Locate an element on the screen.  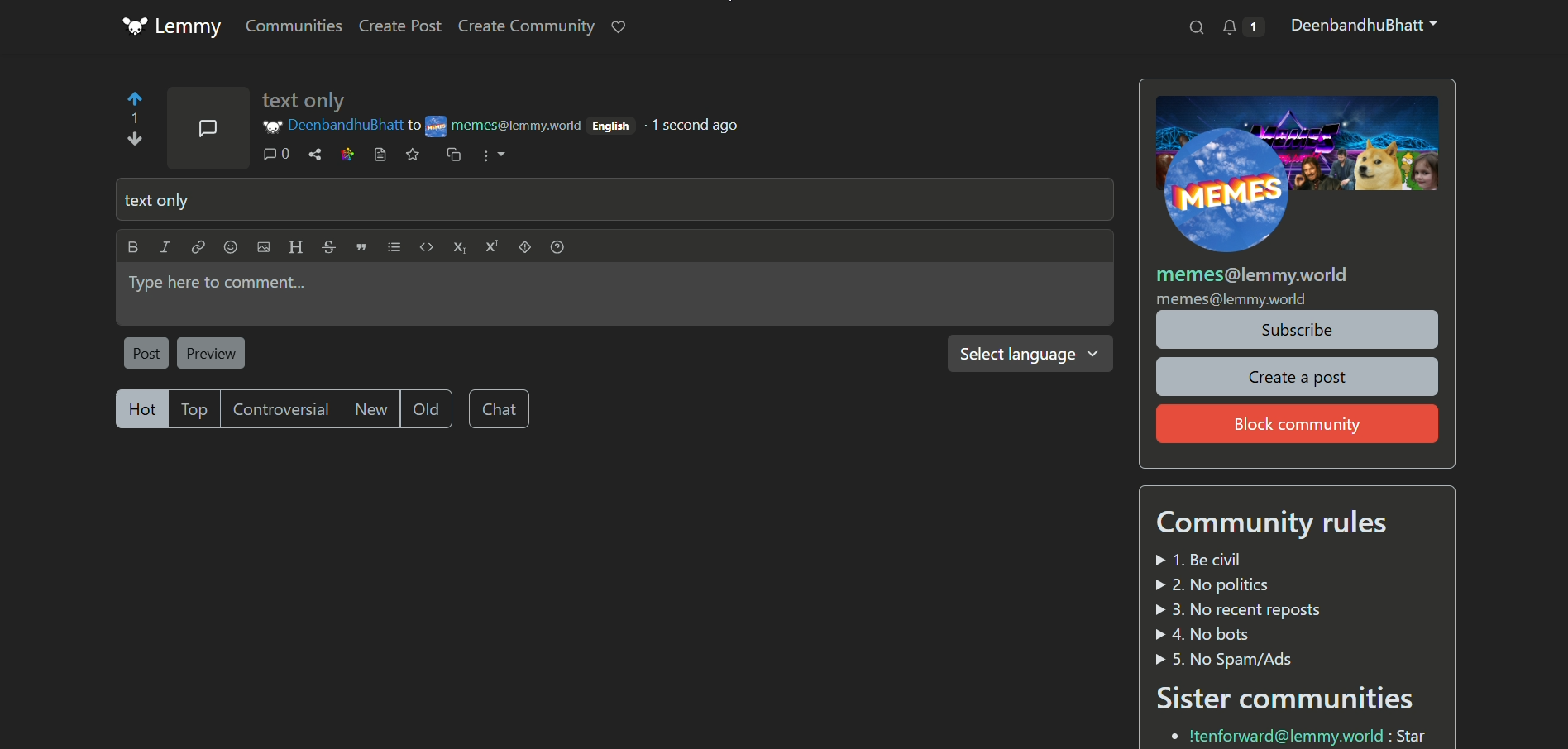
select language is located at coordinates (1030, 354).